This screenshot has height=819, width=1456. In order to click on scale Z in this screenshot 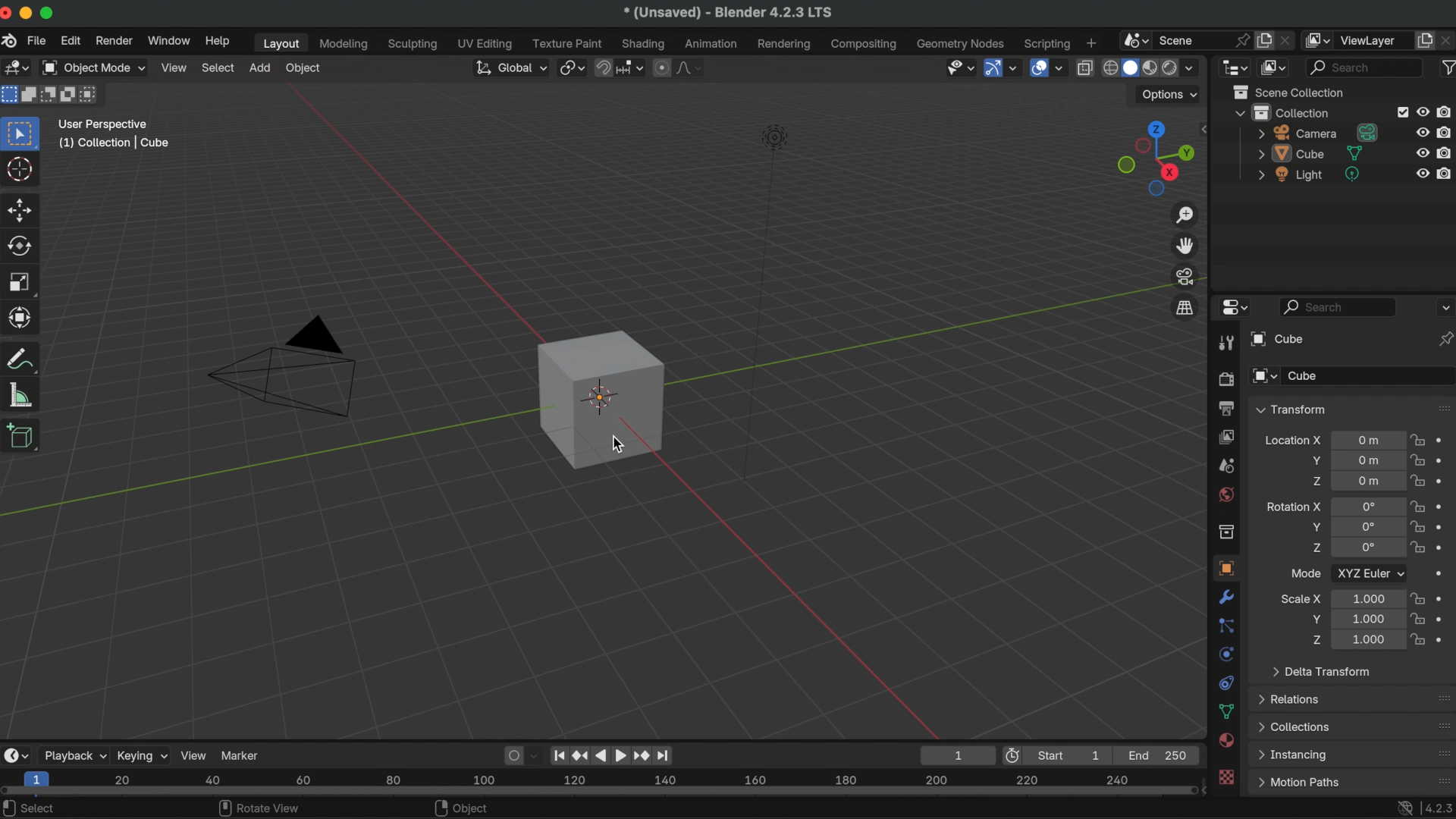, I will do `click(1314, 639)`.